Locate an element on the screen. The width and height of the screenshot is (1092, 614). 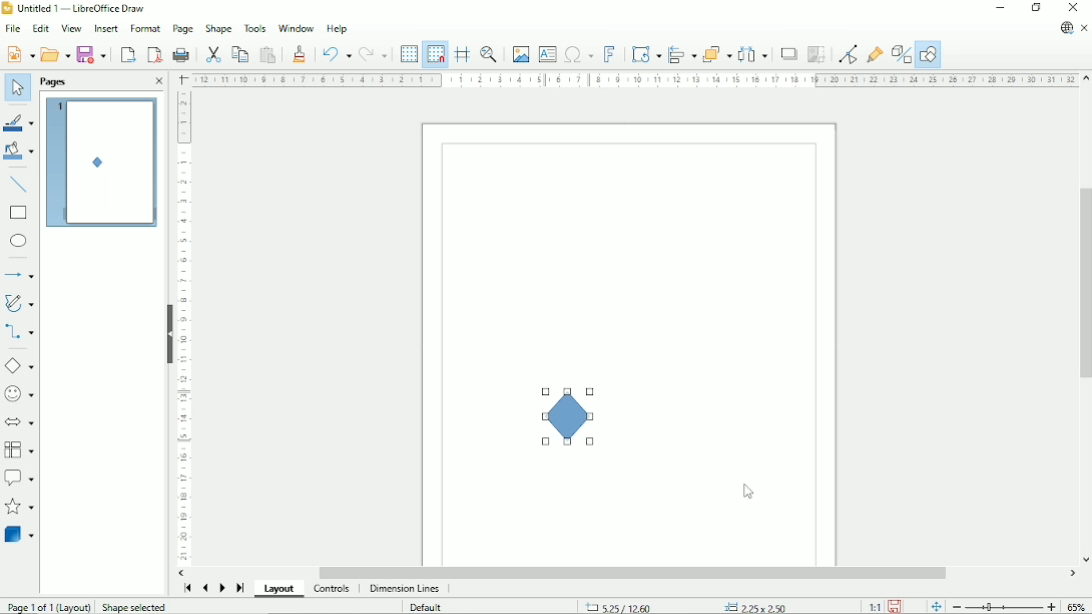
Paste is located at coordinates (269, 54).